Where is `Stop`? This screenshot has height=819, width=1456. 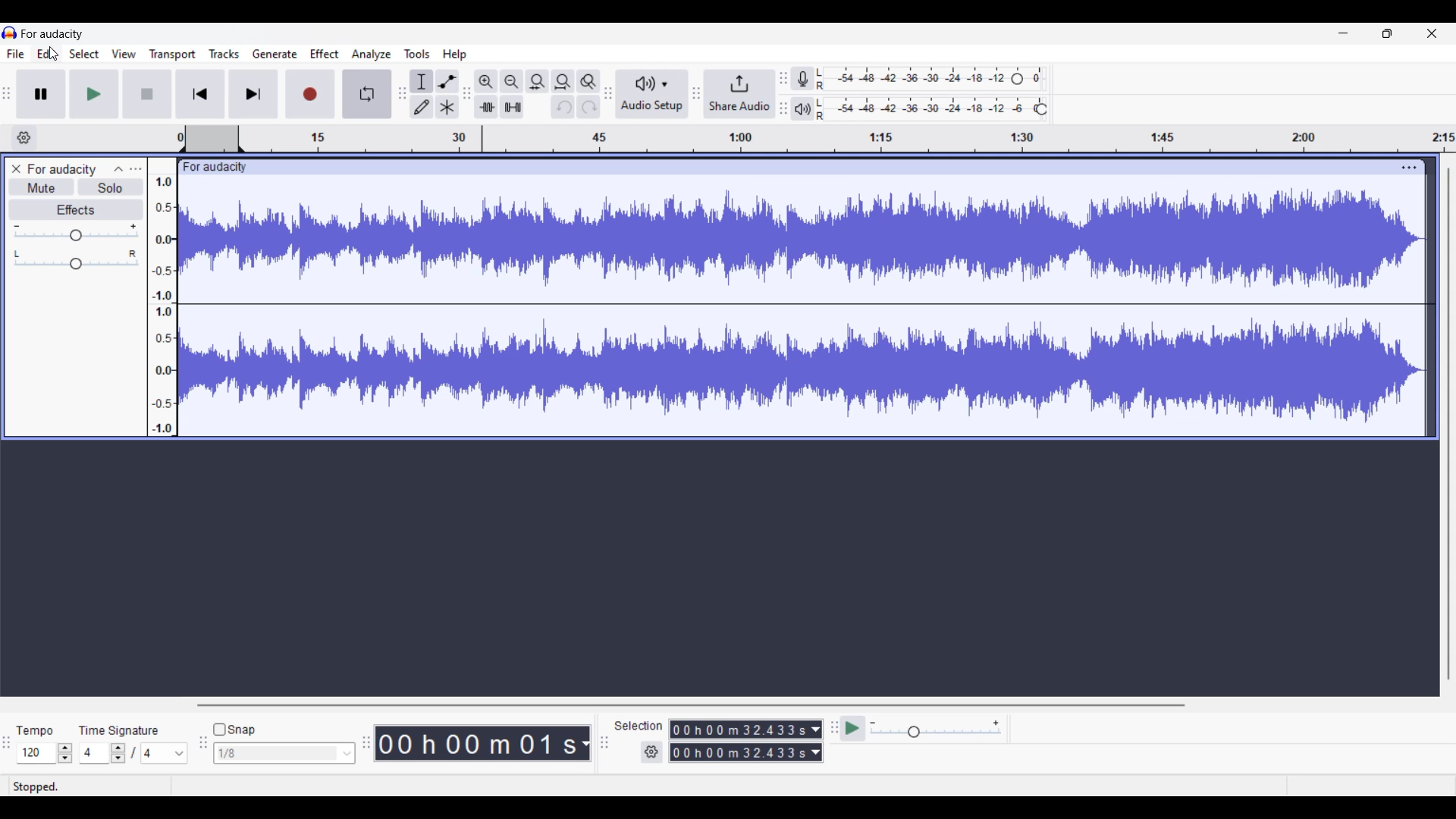
Stop is located at coordinates (148, 94).